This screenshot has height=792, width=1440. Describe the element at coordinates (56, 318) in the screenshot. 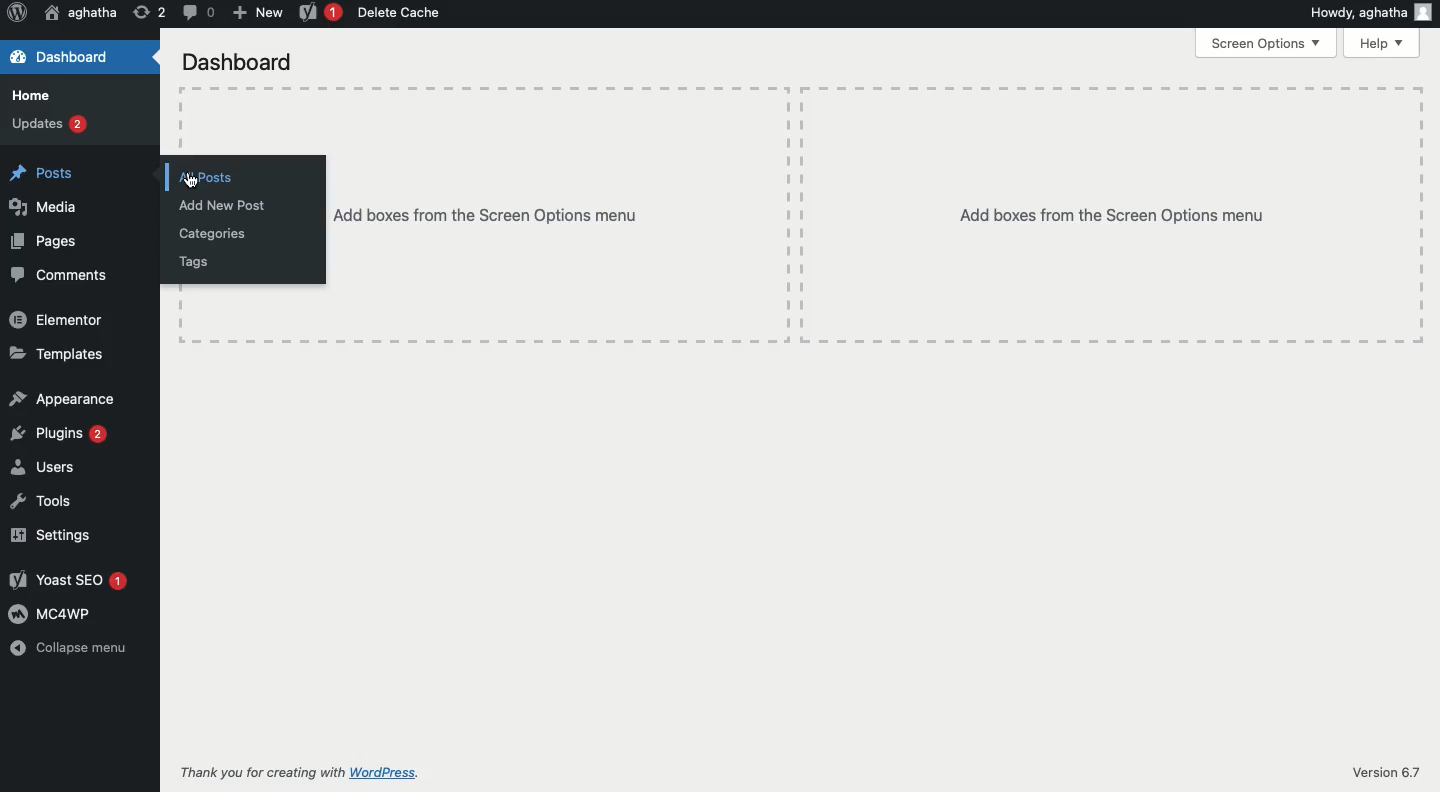

I see `Elementor` at that location.